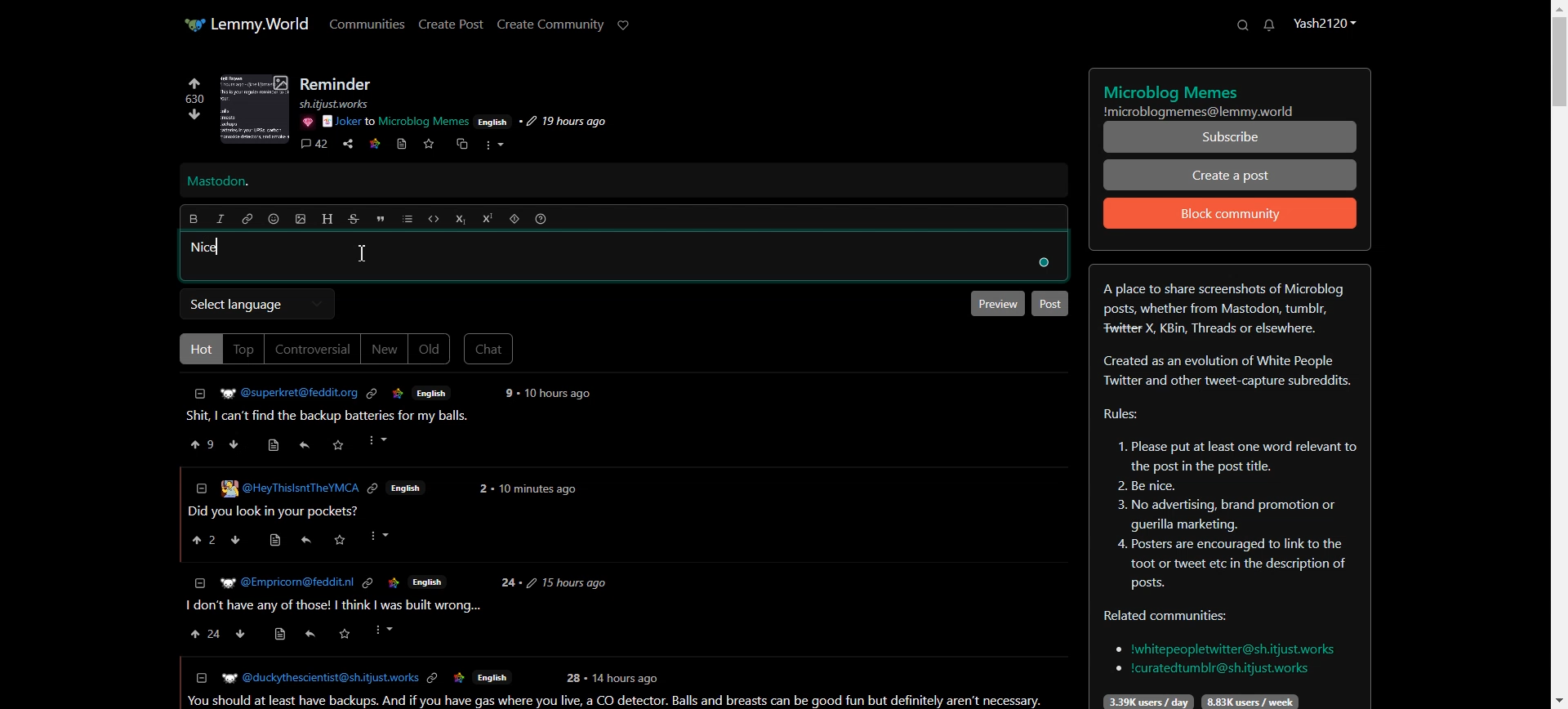 The width and height of the screenshot is (1568, 709). Describe the element at coordinates (281, 635) in the screenshot. I see `` at that location.